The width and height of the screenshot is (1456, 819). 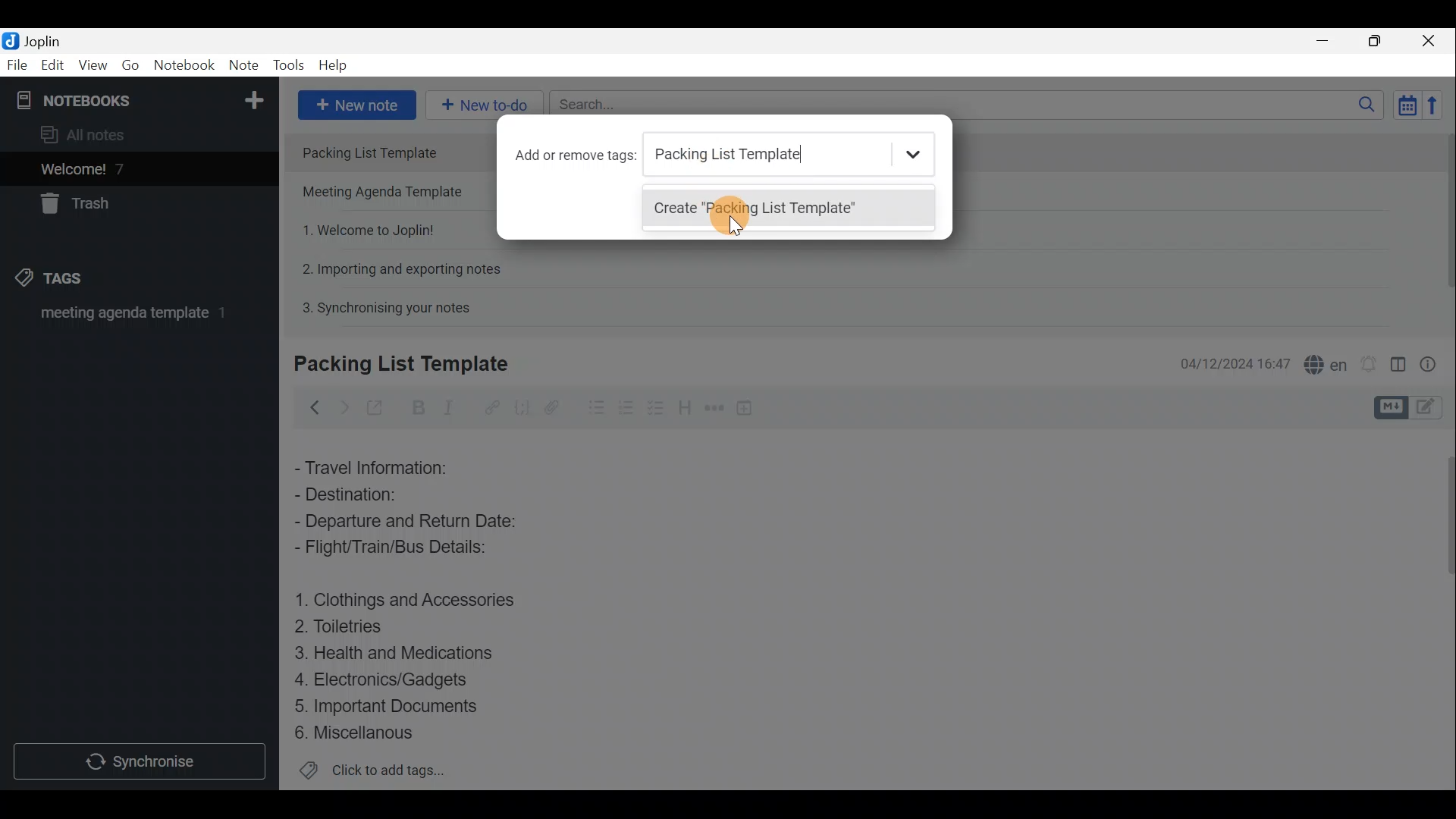 What do you see at coordinates (74, 281) in the screenshot?
I see `Tags` at bounding box center [74, 281].